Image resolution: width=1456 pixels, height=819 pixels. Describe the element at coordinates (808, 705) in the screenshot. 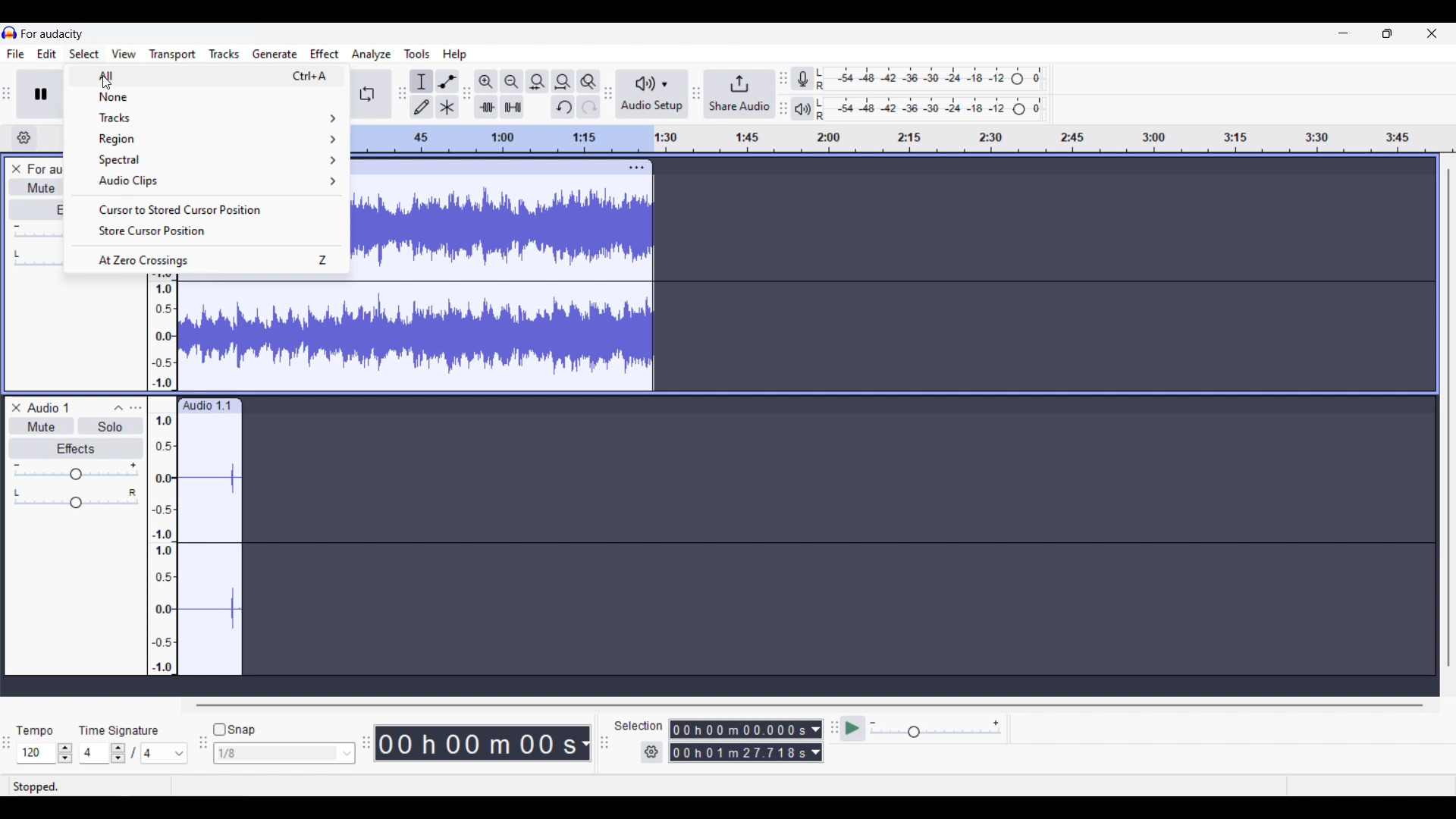

I see `Horizontal slide bar` at that location.